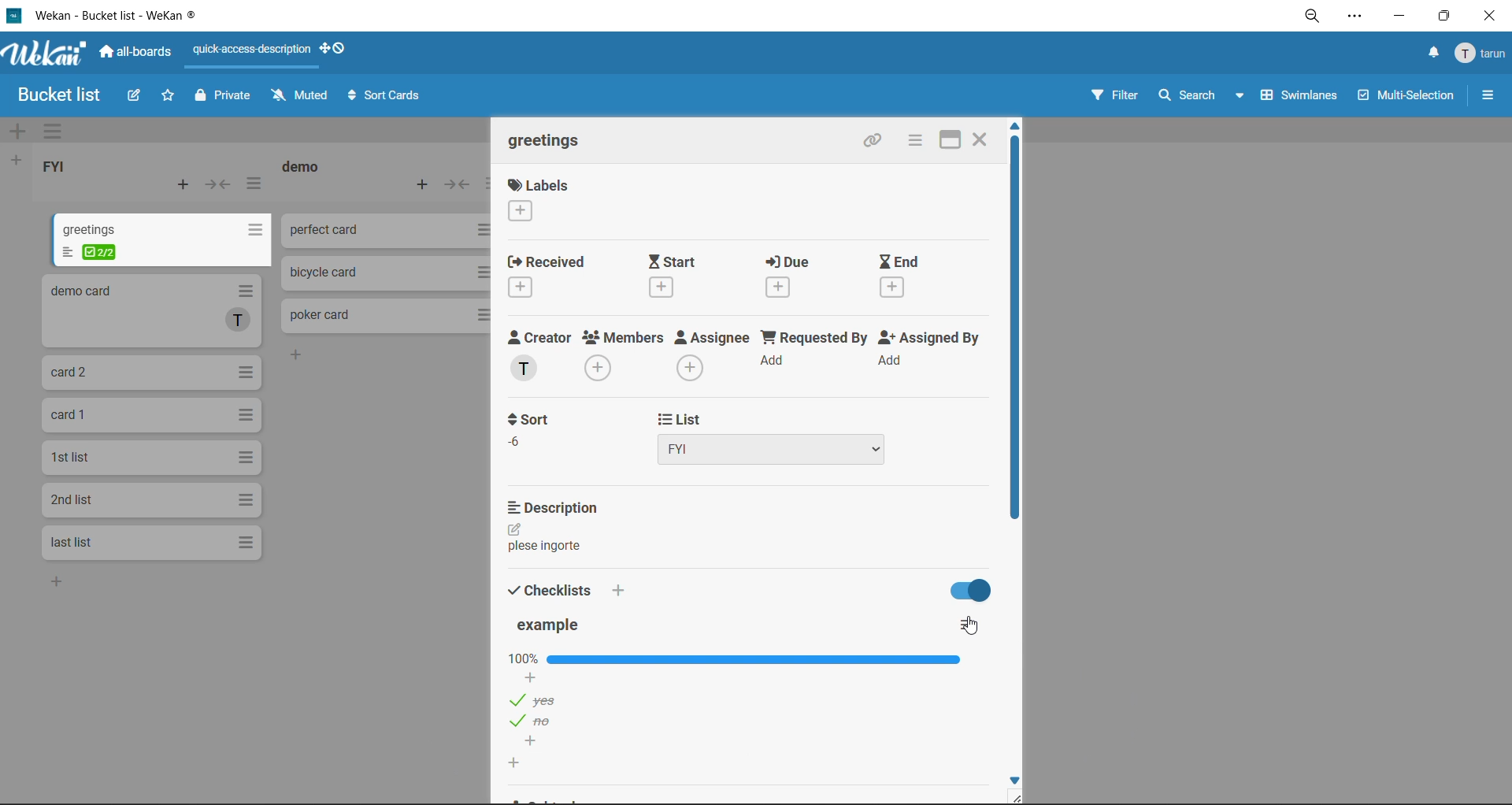  Describe the element at coordinates (152, 461) in the screenshot. I see `cards` at that location.